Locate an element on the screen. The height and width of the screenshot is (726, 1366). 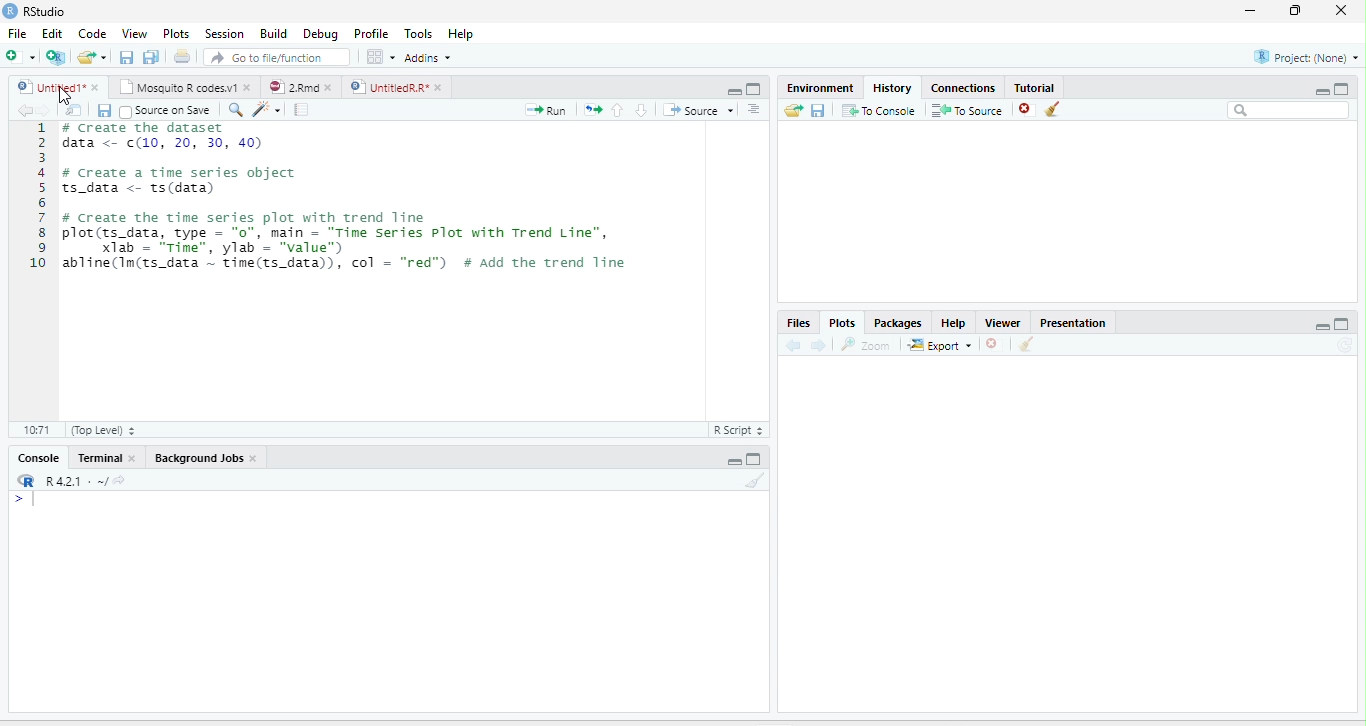
Save all open documents is located at coordinates (151, 56).